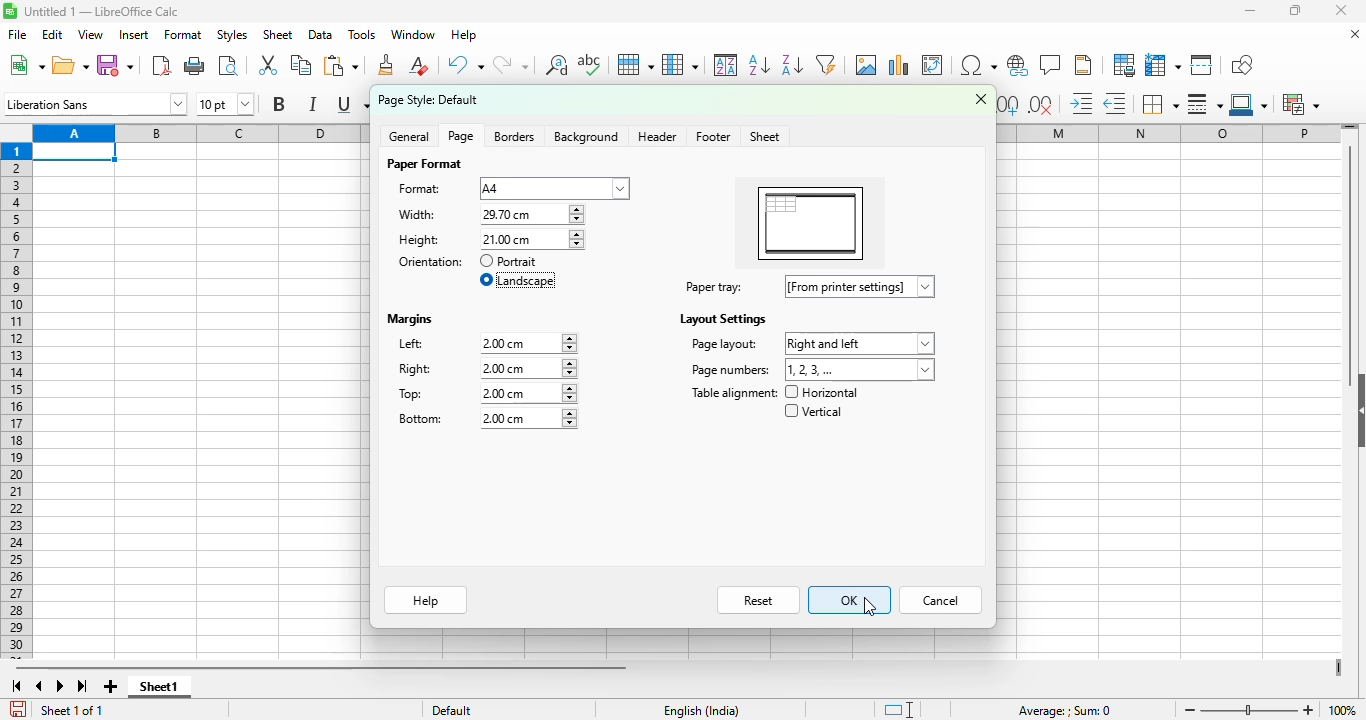  Describe the element at coordinates (161, 687) in the screenshot. I see `sheet1` at that location.